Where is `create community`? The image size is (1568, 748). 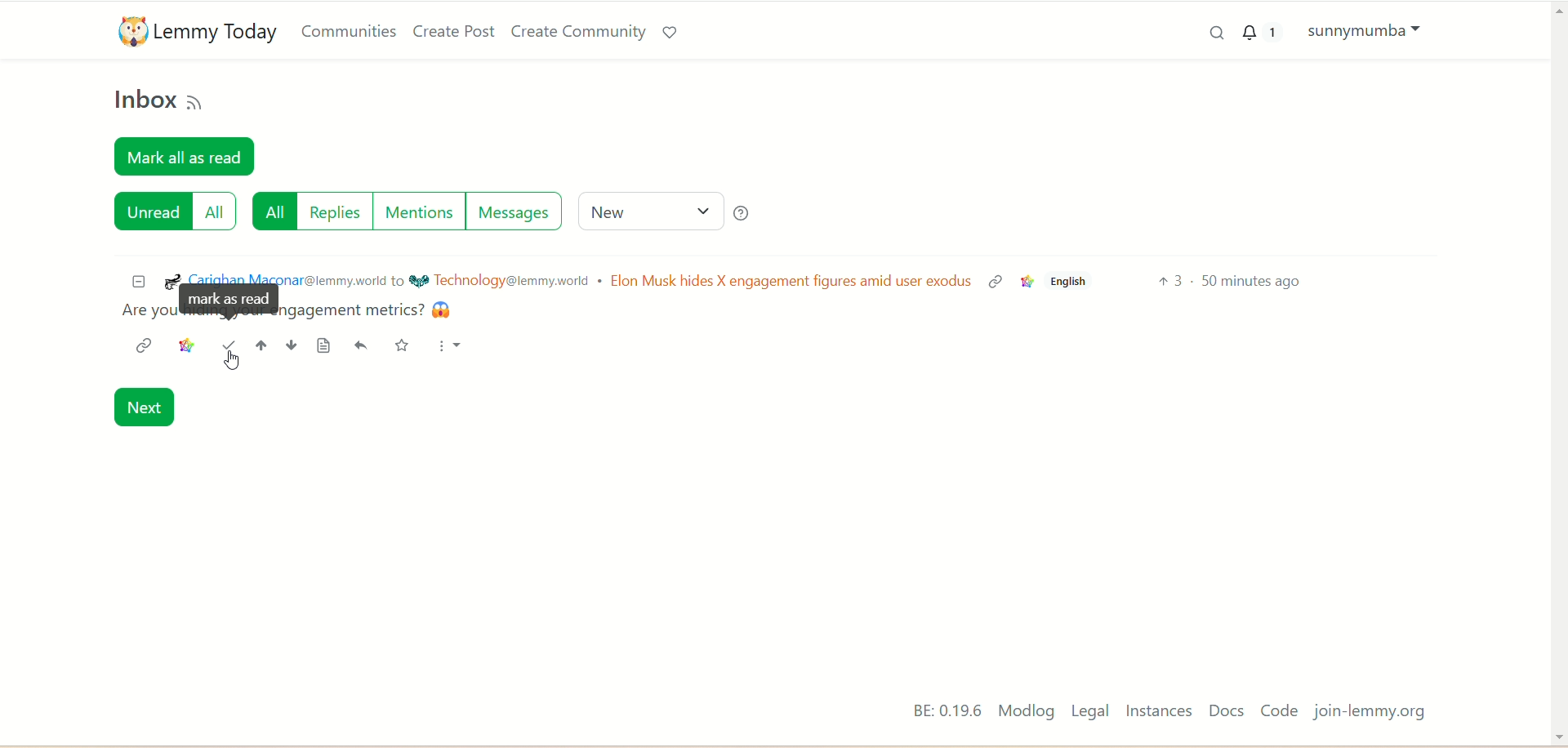 create community is located at coordinates (574, 32).